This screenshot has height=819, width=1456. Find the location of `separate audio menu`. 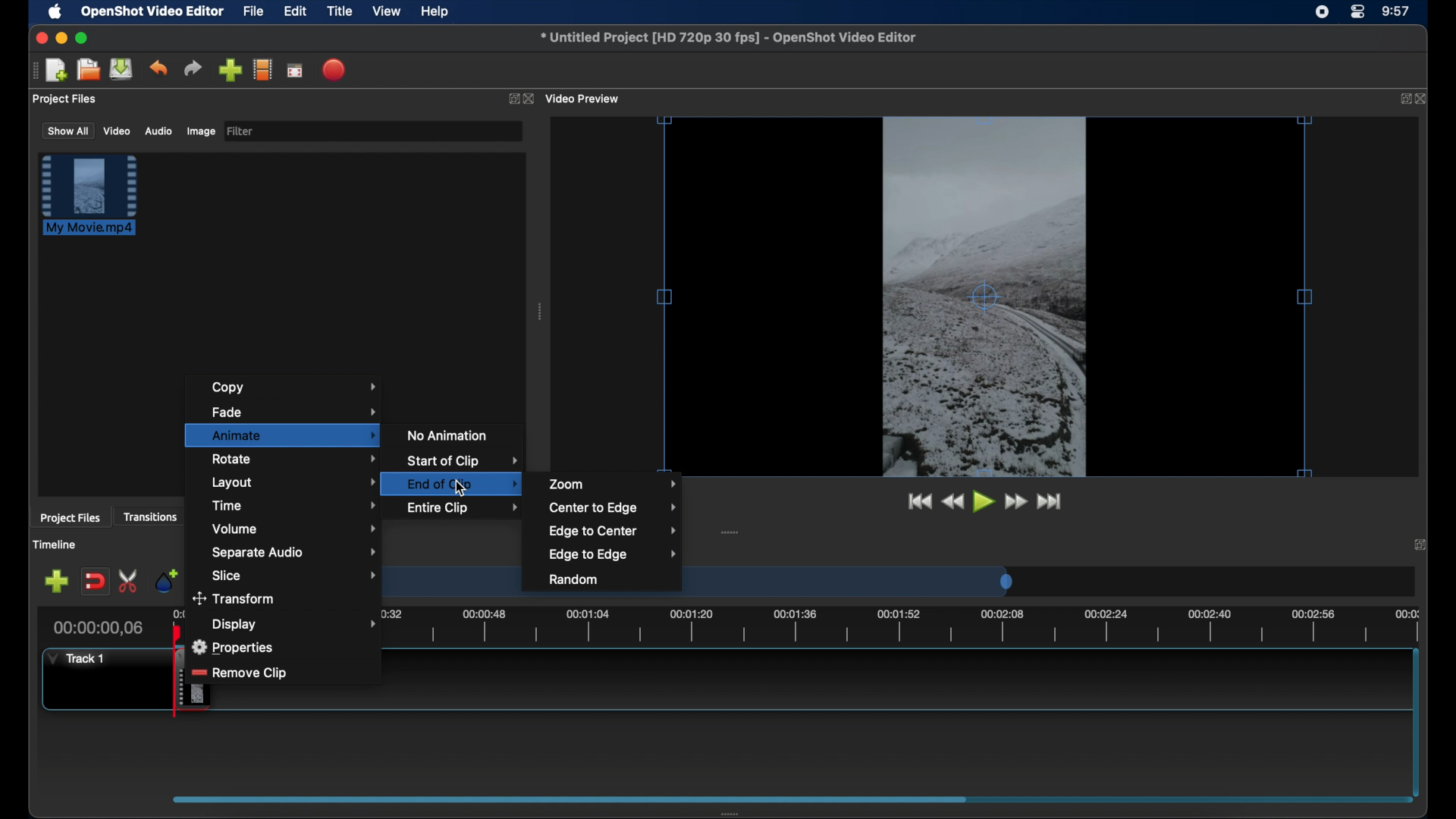

separate audio menu is located at coordinates (295, 554).